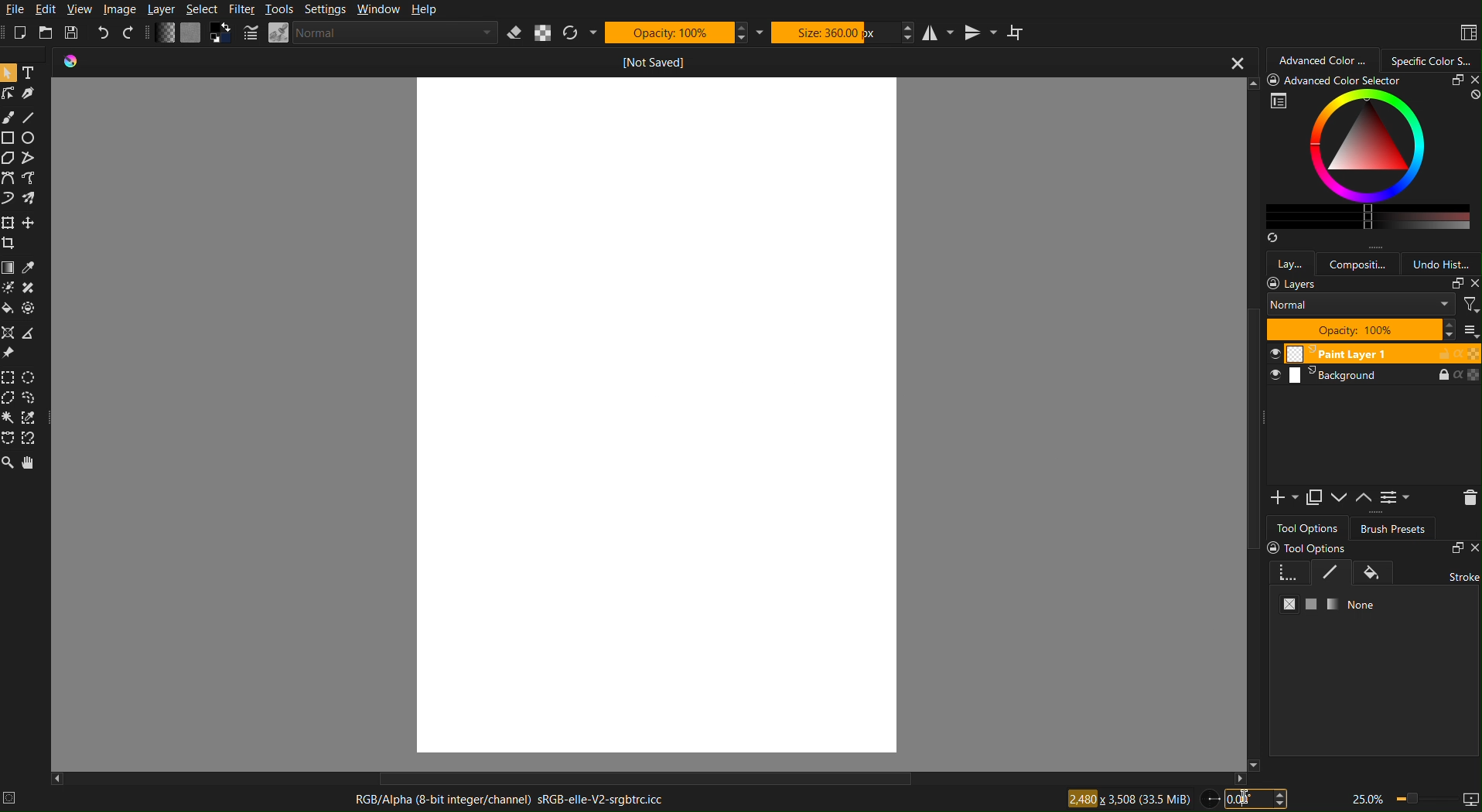 The width and height of the screenshot is (1482, 812). What do you see at coordinates (1361, 330) in the screenshot?
I see `opacity 100%` at bounding box center [1361, 330].